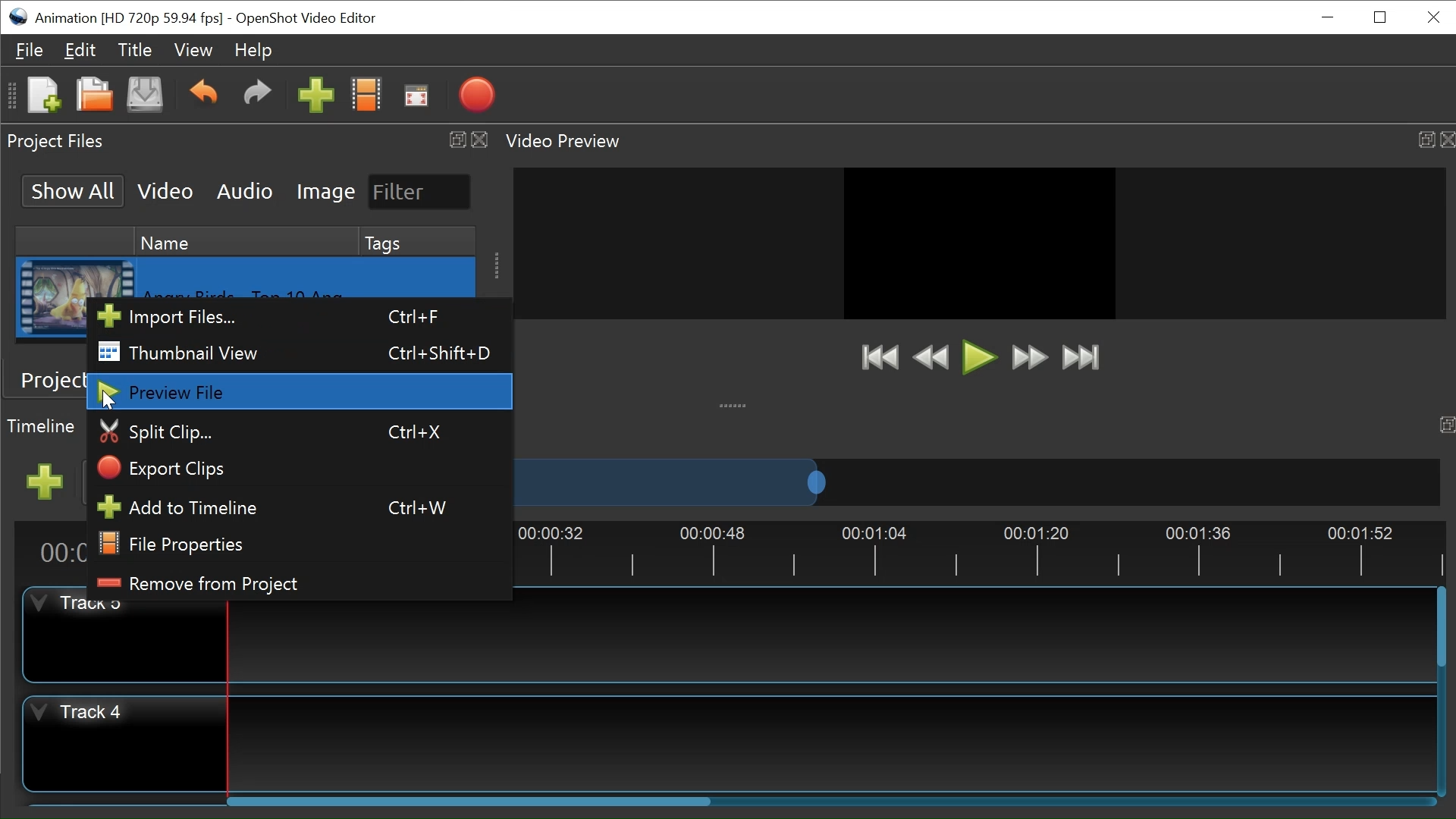 This screenshot has width=1456, height=819. Describe the element at coordinates (129, 20) in the screenshot. I see `Project Name` at that location.